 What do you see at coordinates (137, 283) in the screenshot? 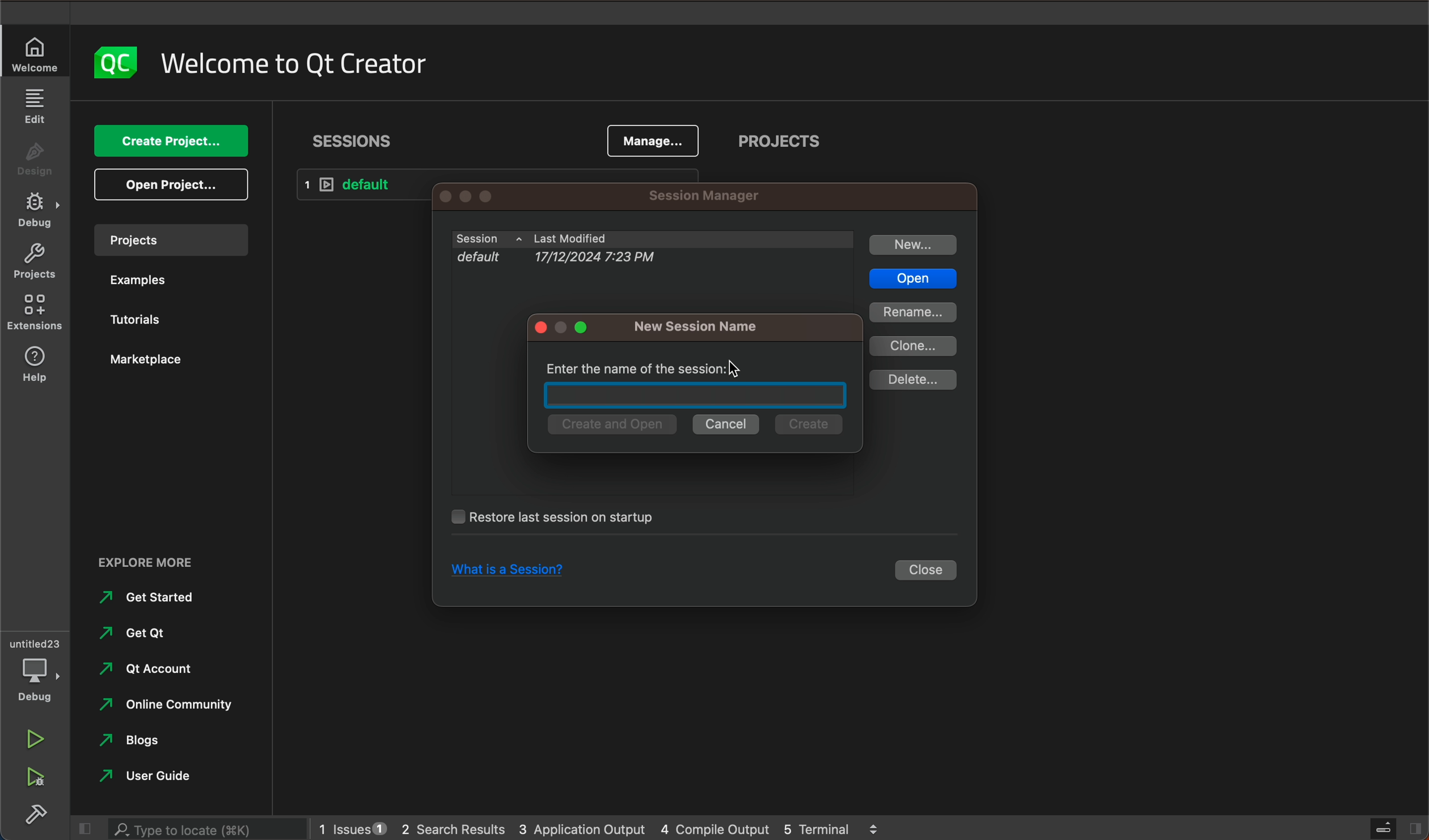
I see `examples` at bounding box center [137, 283].